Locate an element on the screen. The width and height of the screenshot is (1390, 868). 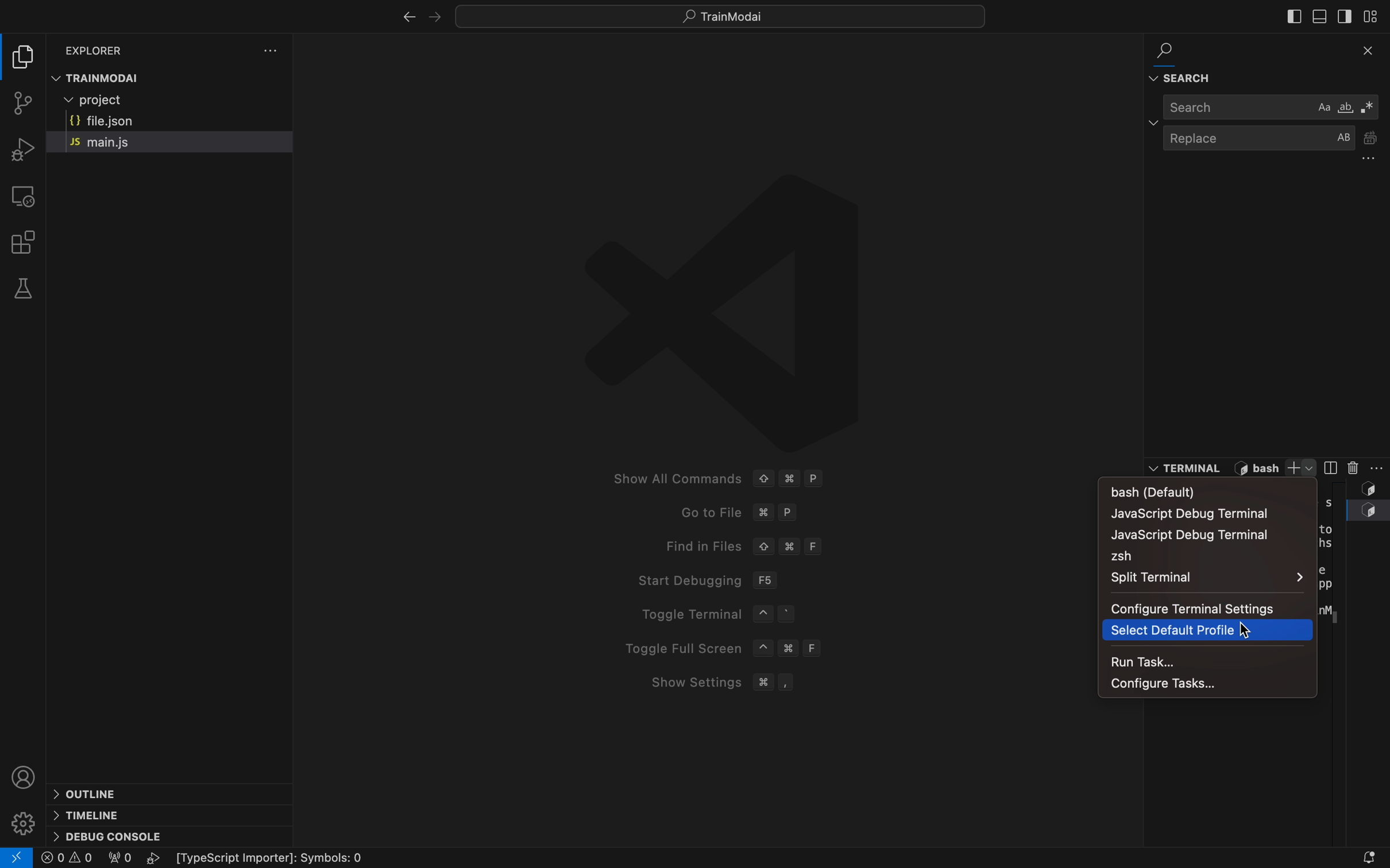
extensions is located at coordinates (28, 242).